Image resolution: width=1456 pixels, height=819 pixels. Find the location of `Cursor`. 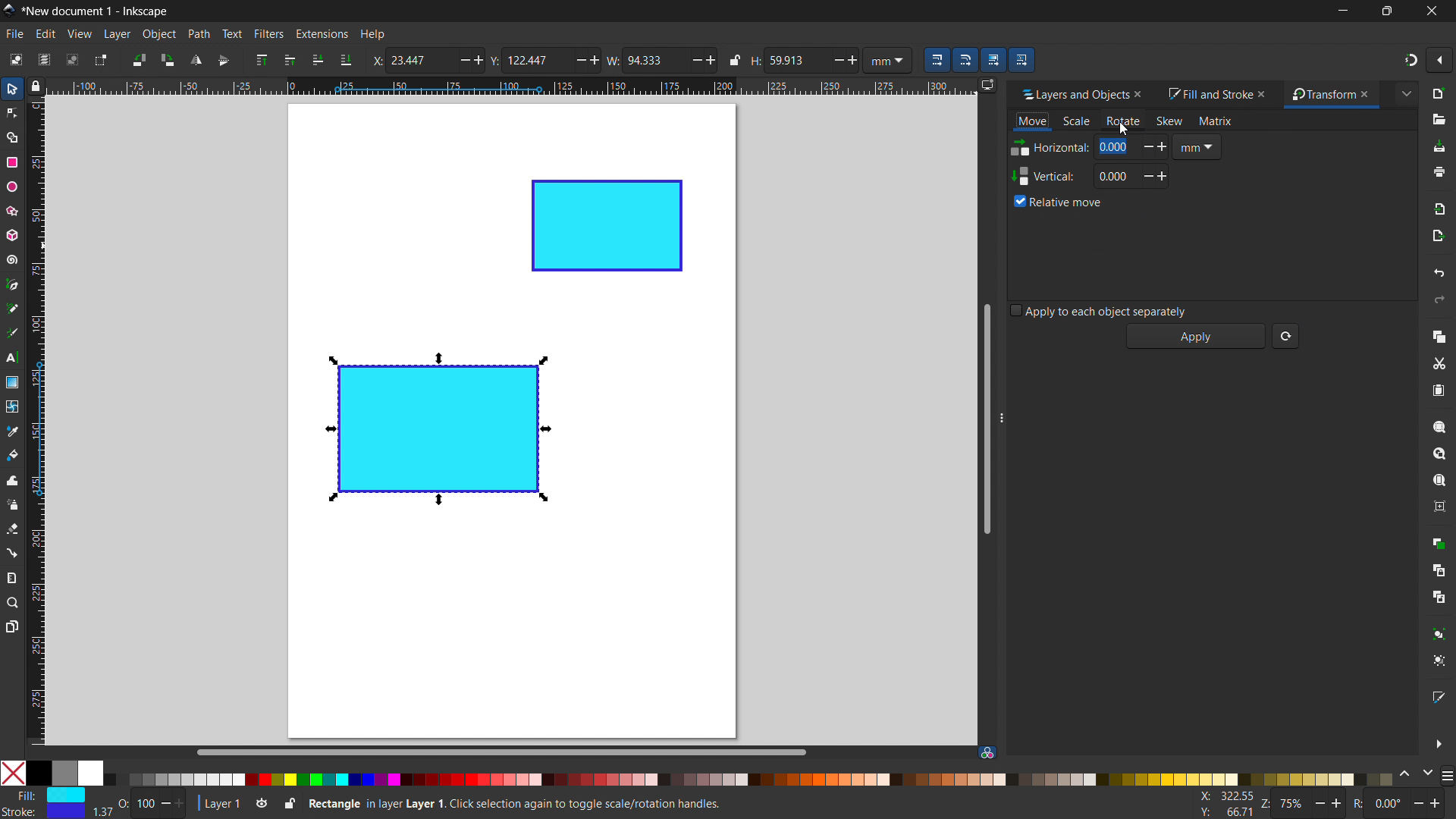

Cursor is located at coordinates (1128, 130).